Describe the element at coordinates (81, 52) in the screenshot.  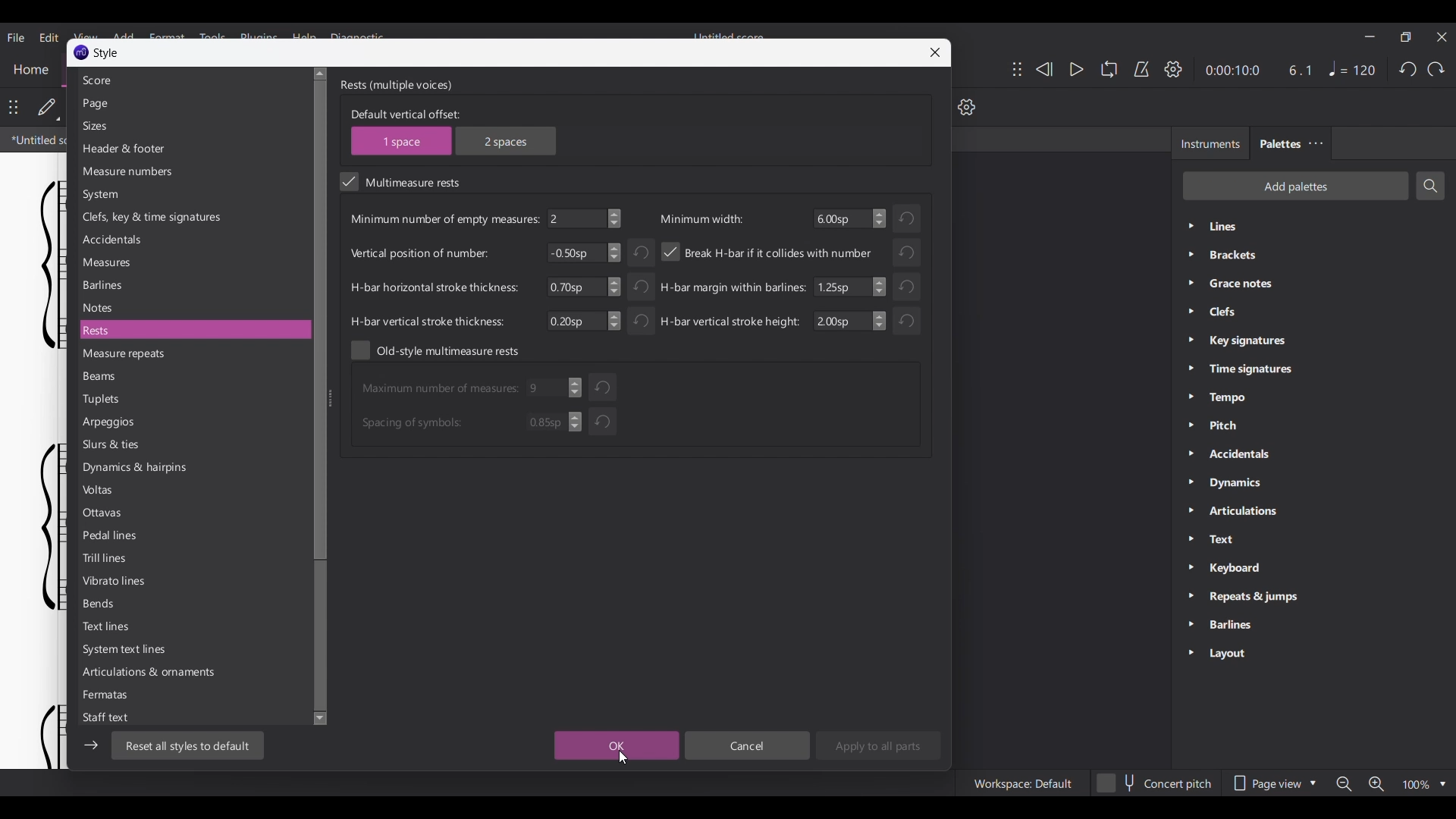
I see `Software logo` at that location.